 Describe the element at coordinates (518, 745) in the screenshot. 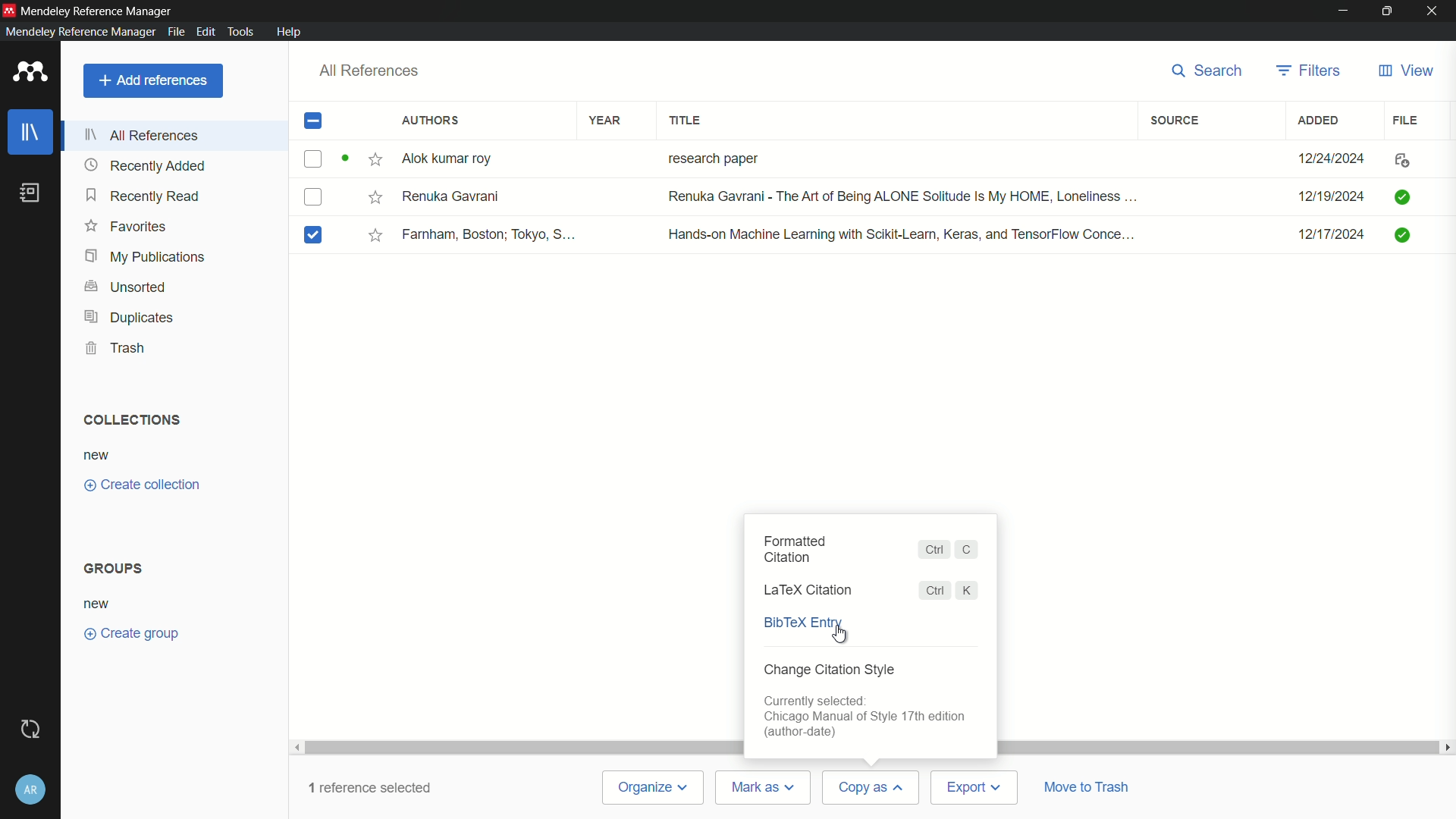

I see `Scroll bar` at that location.